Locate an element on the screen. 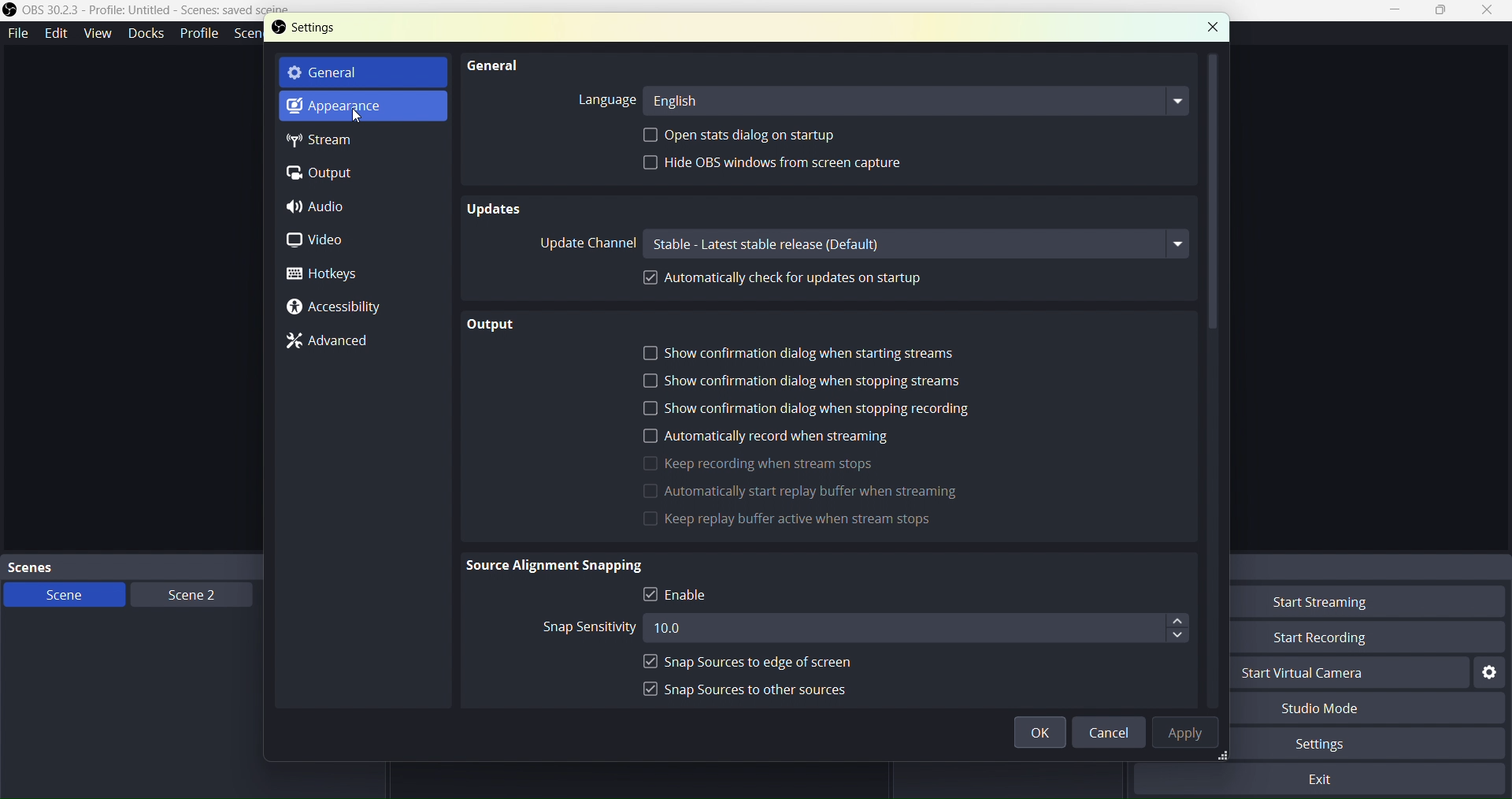 The height and width of the screenshot is (799, 1512). Exit is located at coordinates (1325, 779).